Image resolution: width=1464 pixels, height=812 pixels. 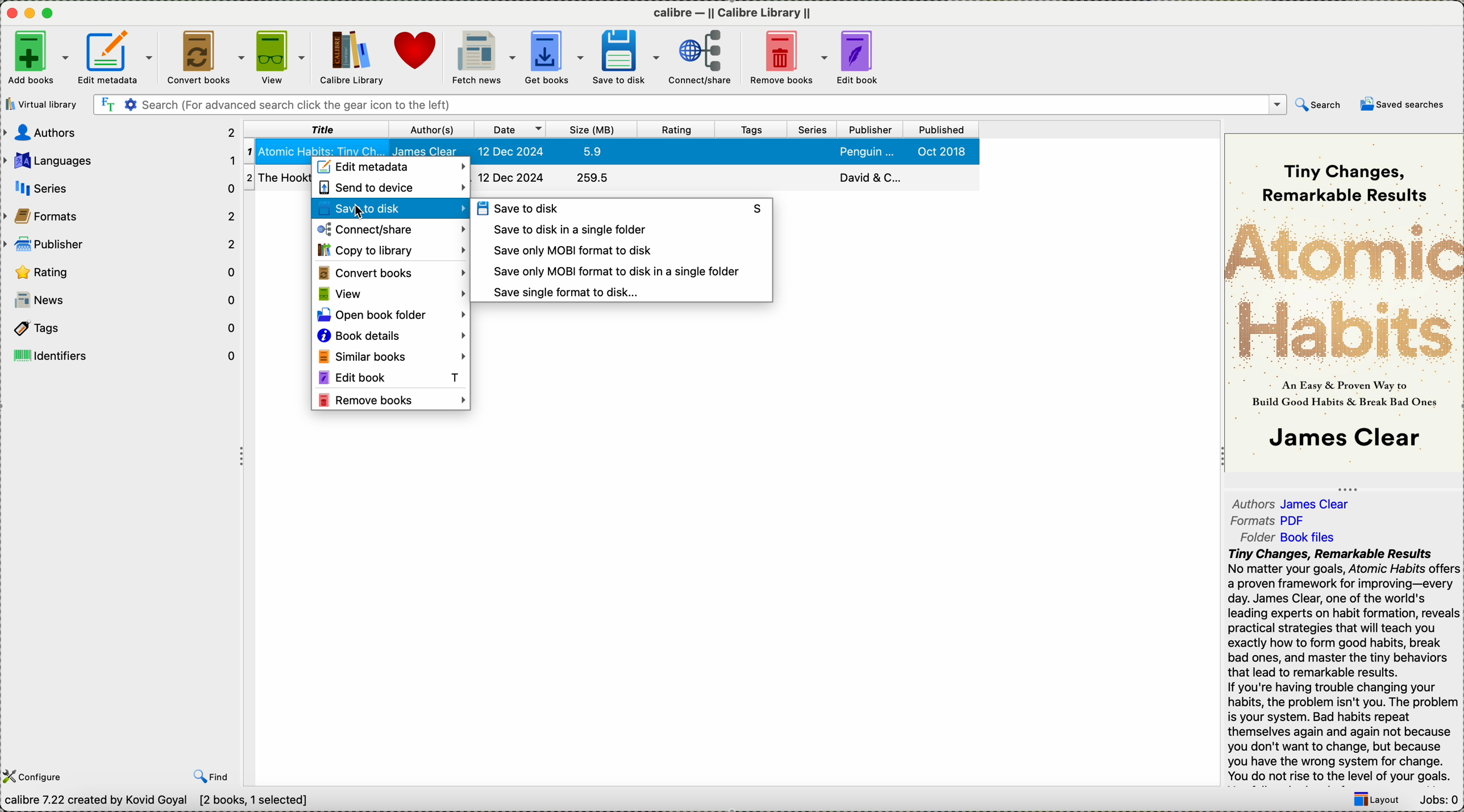 What do you see at coordinates (431, 129) in the screenshot?
I see `author(s)` at bounding box center [431, 129].